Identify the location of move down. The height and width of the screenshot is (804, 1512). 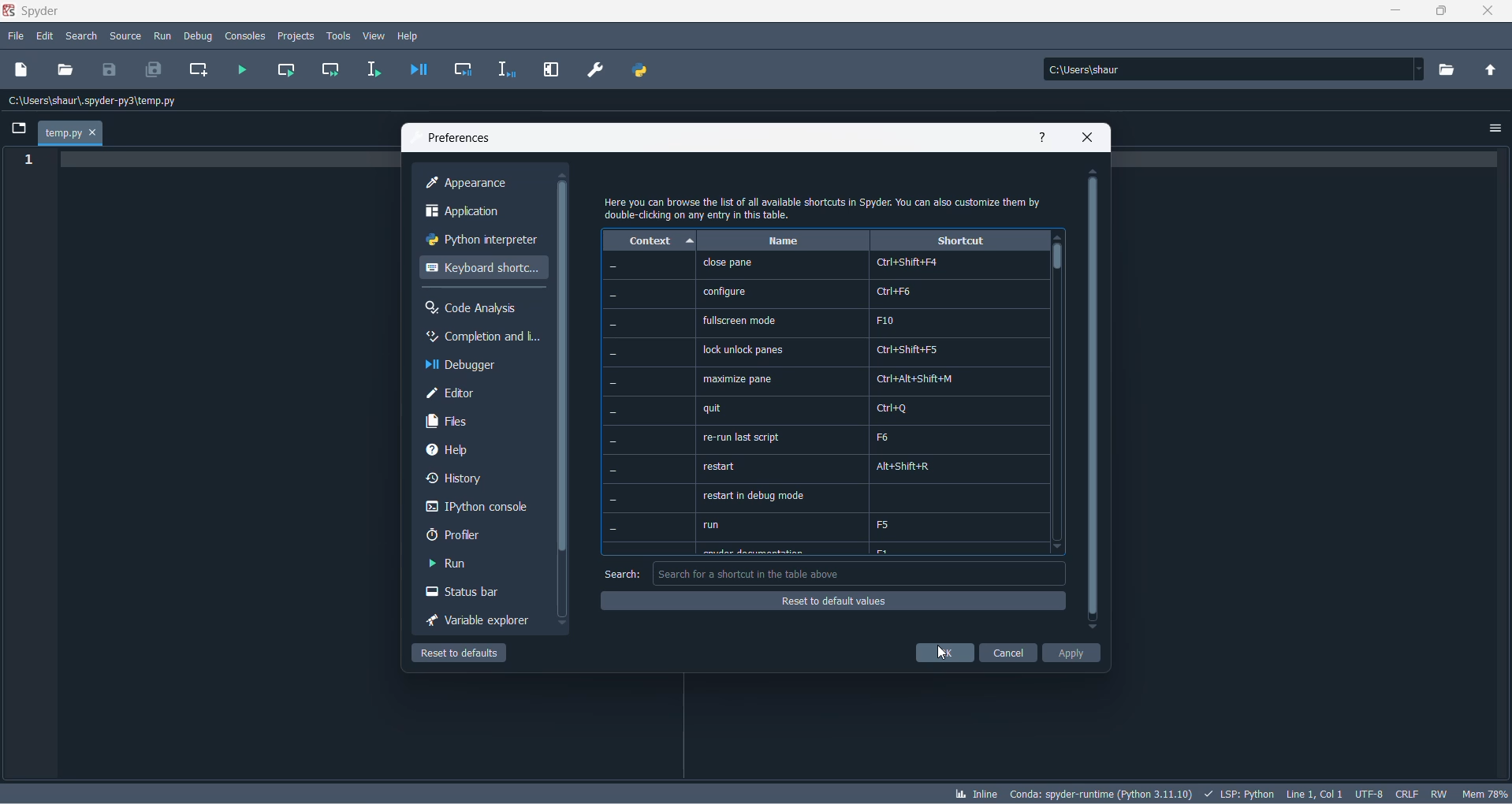
(1092, 628).